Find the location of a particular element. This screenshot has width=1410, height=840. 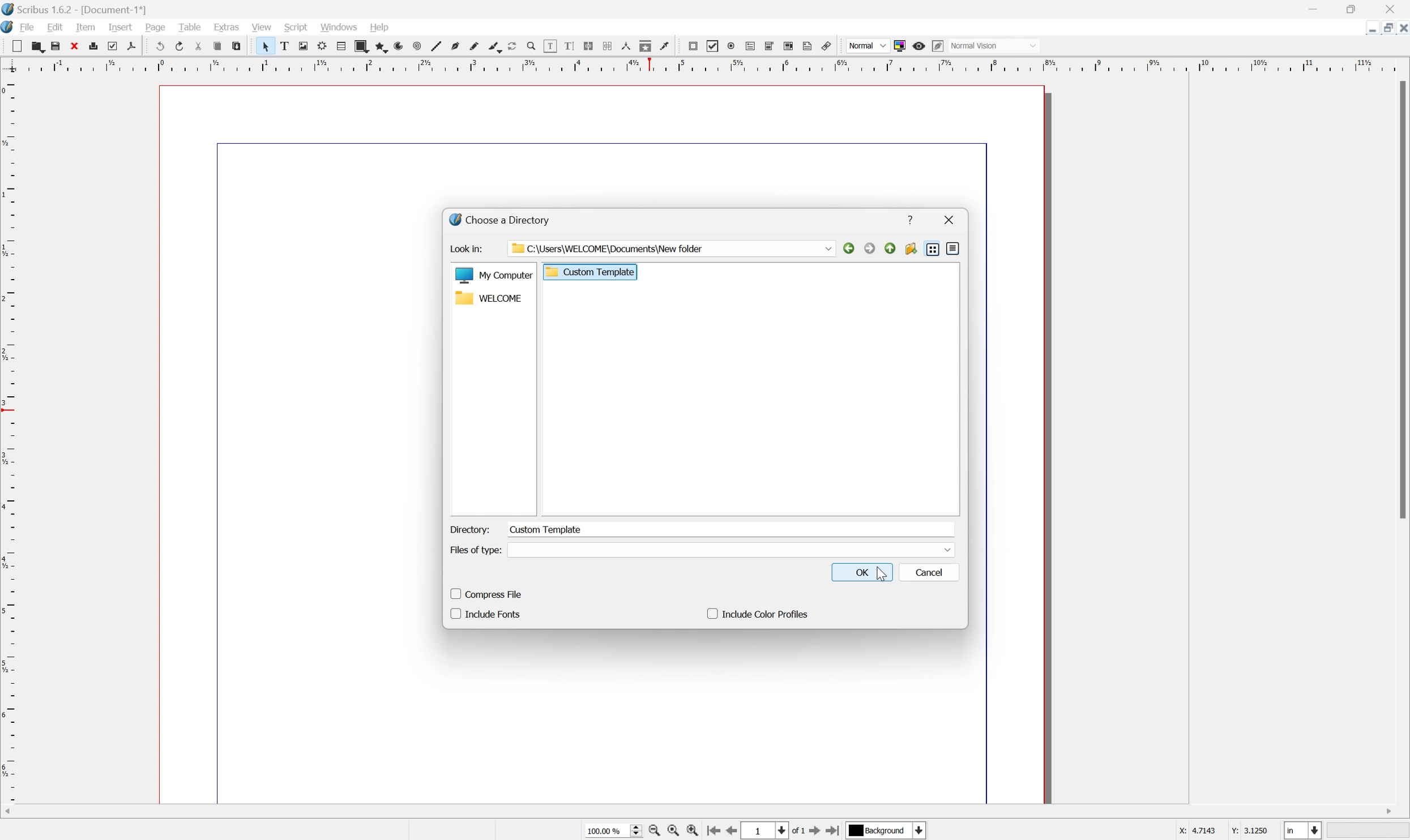

bezier curve is located at coordinates (456, 45).